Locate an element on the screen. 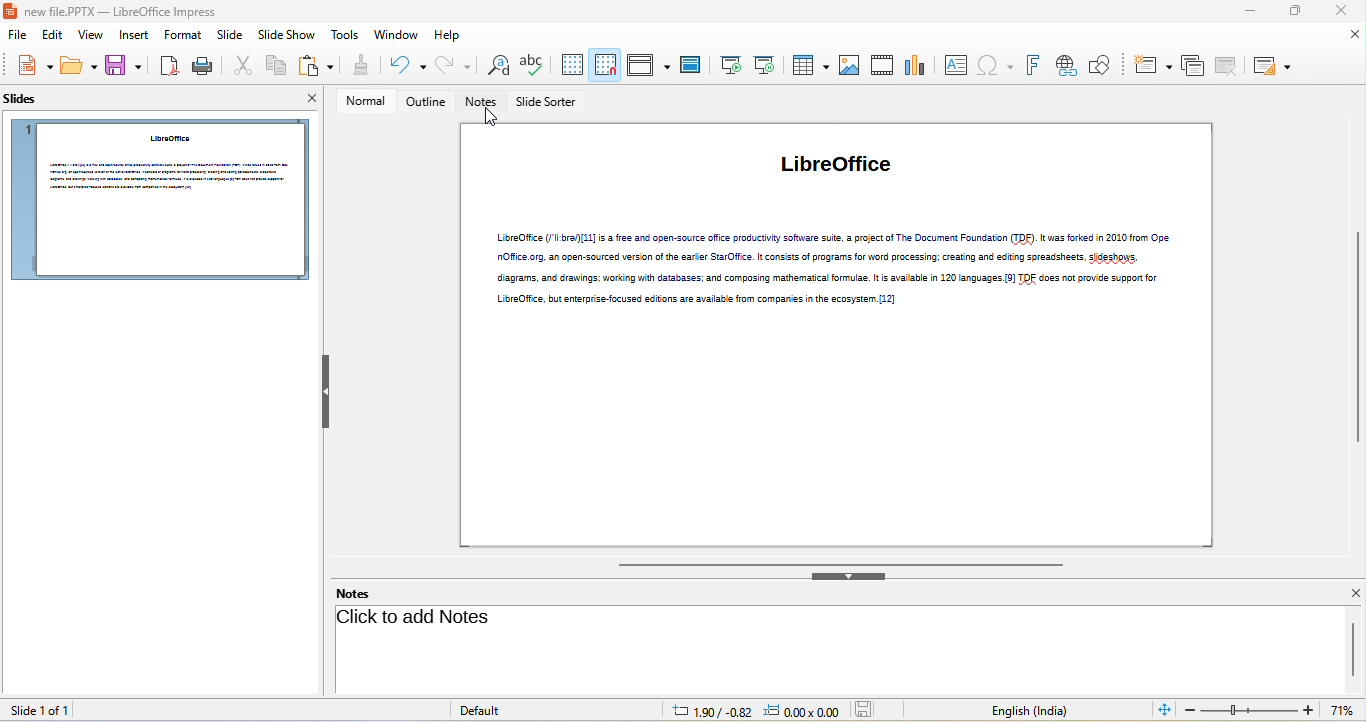 Image resolution: width=1366 pixels, height=722 pixels. LibreOffice (/ i braf){11] is a free and open-source office productivity software suite. a project of The Document Foundation (TDF). kt was forked in 2010 from Ope is located at coordinates (836, 238).